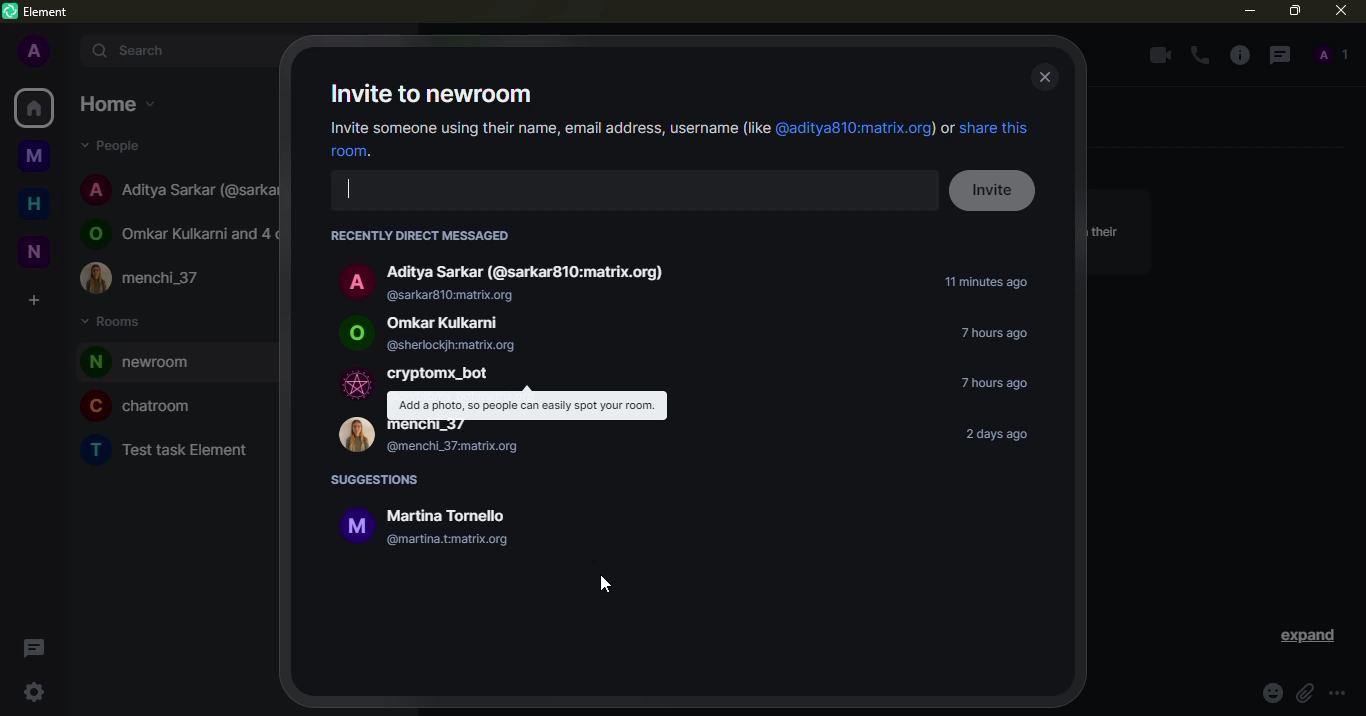  Describe the element at coordinates (114, 323) in the screenshot. I see `rooms` at that location.